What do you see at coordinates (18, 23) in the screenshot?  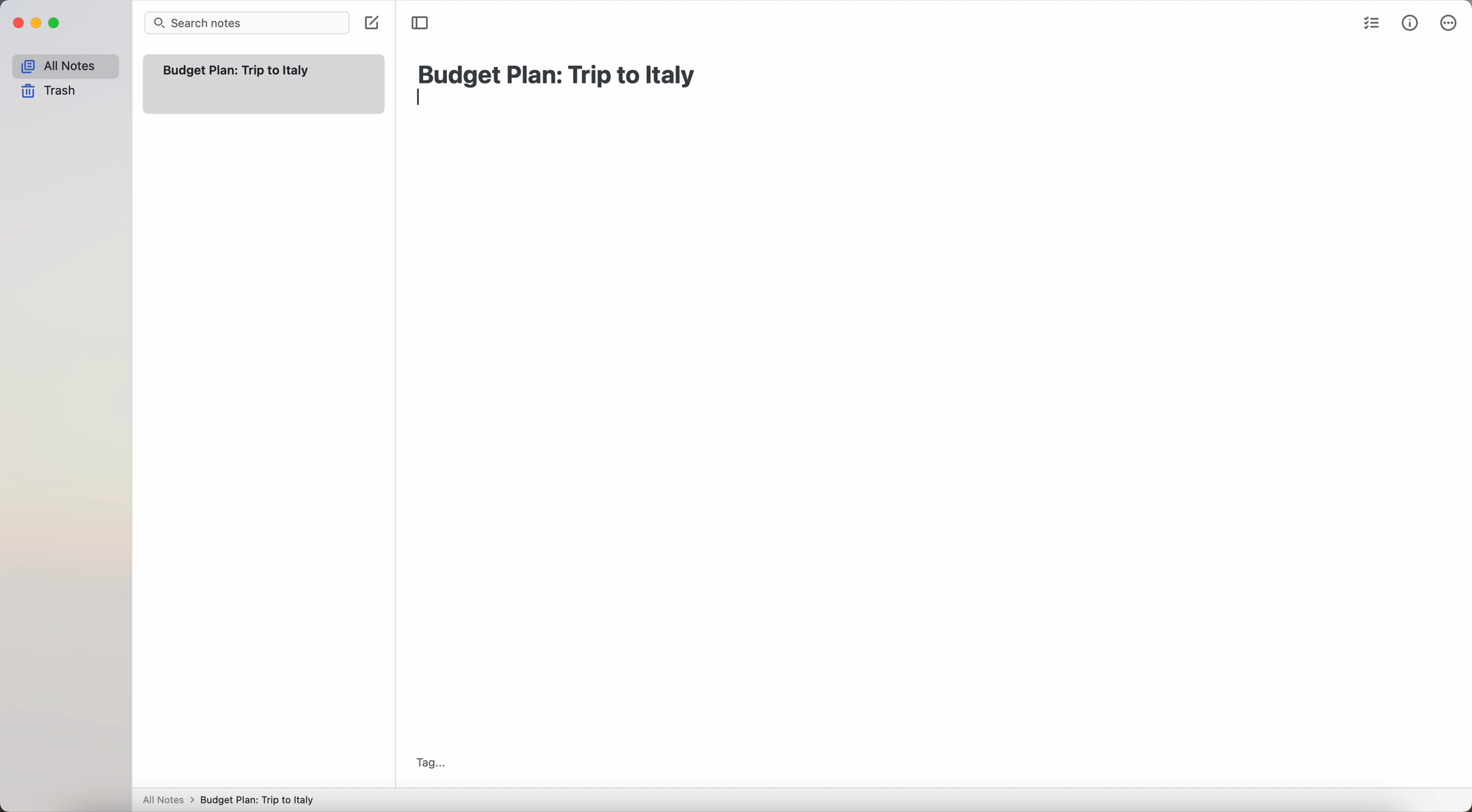 I see `close Simplenote` at bounding box center [18, 23].